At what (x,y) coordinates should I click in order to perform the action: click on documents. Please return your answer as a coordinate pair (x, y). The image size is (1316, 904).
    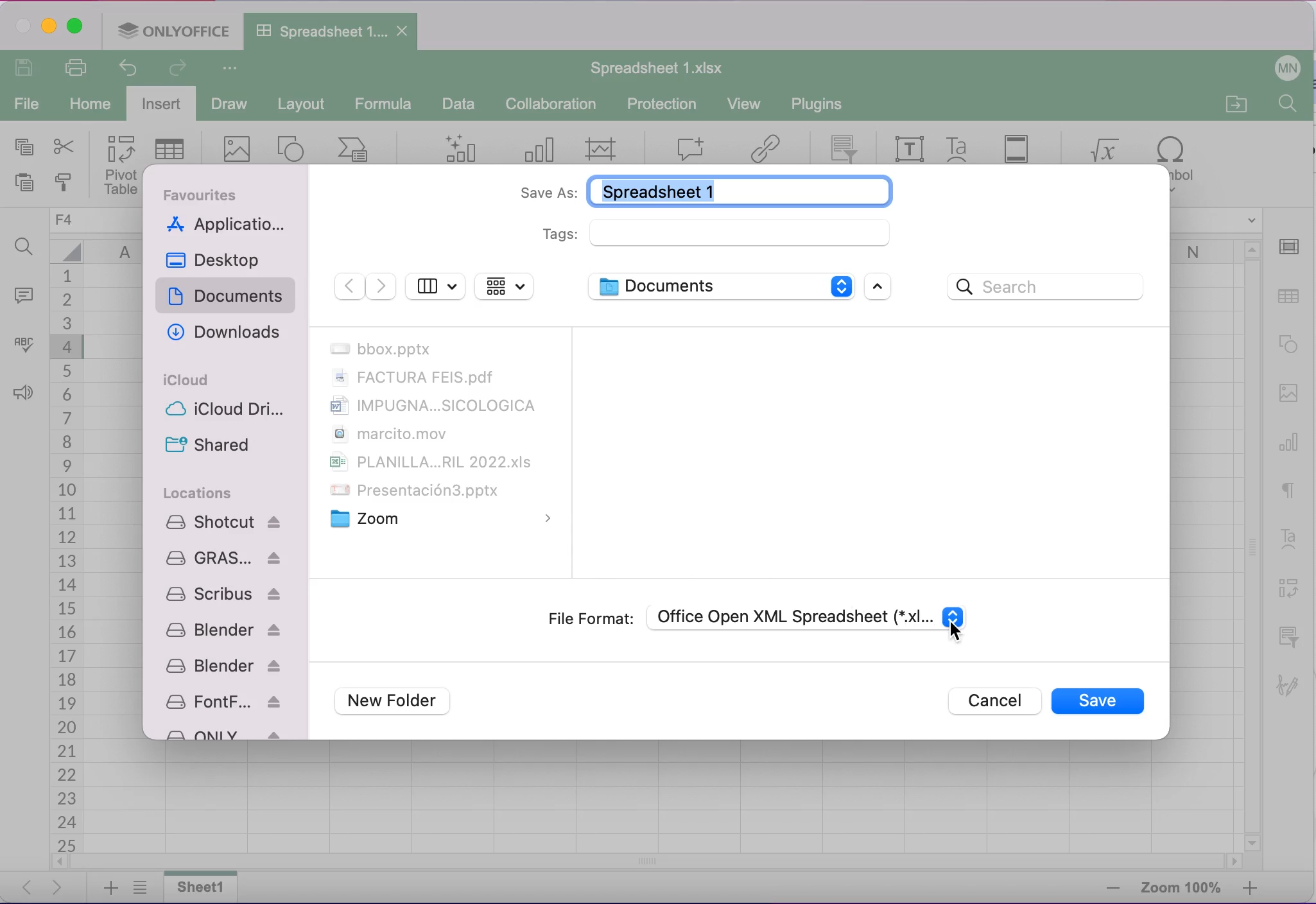
    Looking at the image, I should click on (229, 297).